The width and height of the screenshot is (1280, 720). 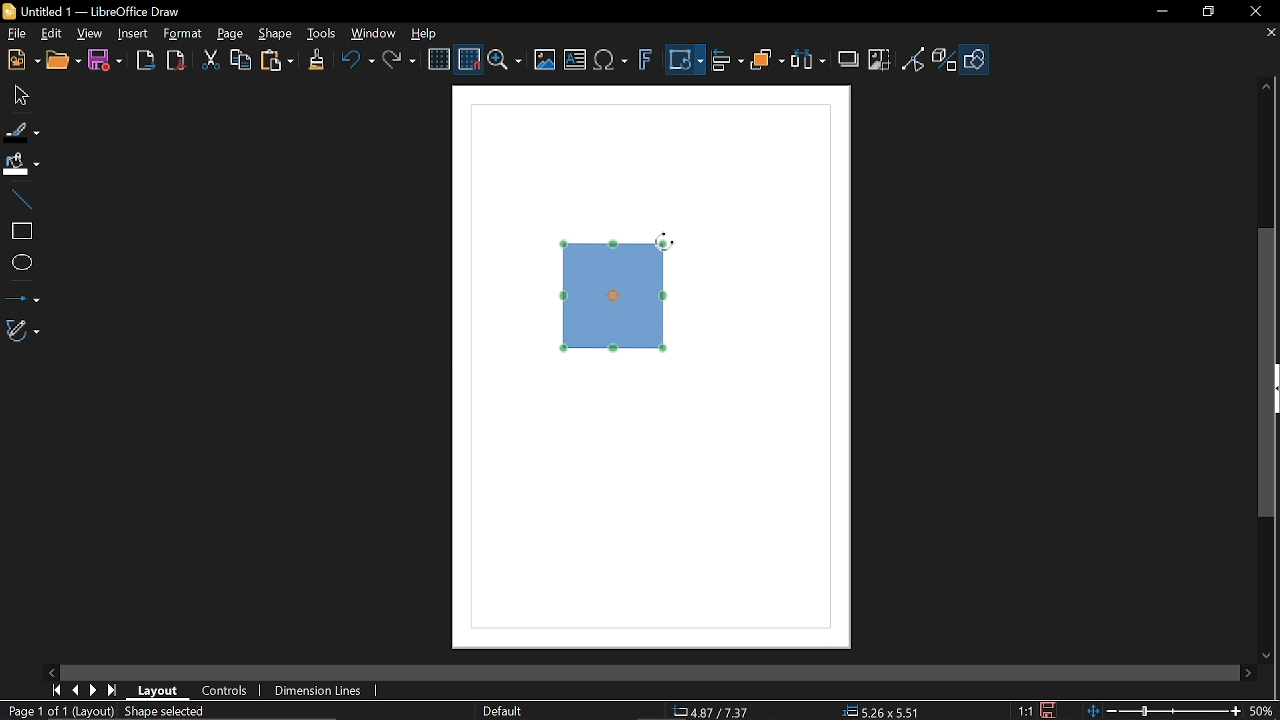 What do you see at coordinates (321, 33) in the screenshot?
I see `Tools` at bounding box center [321, 33].